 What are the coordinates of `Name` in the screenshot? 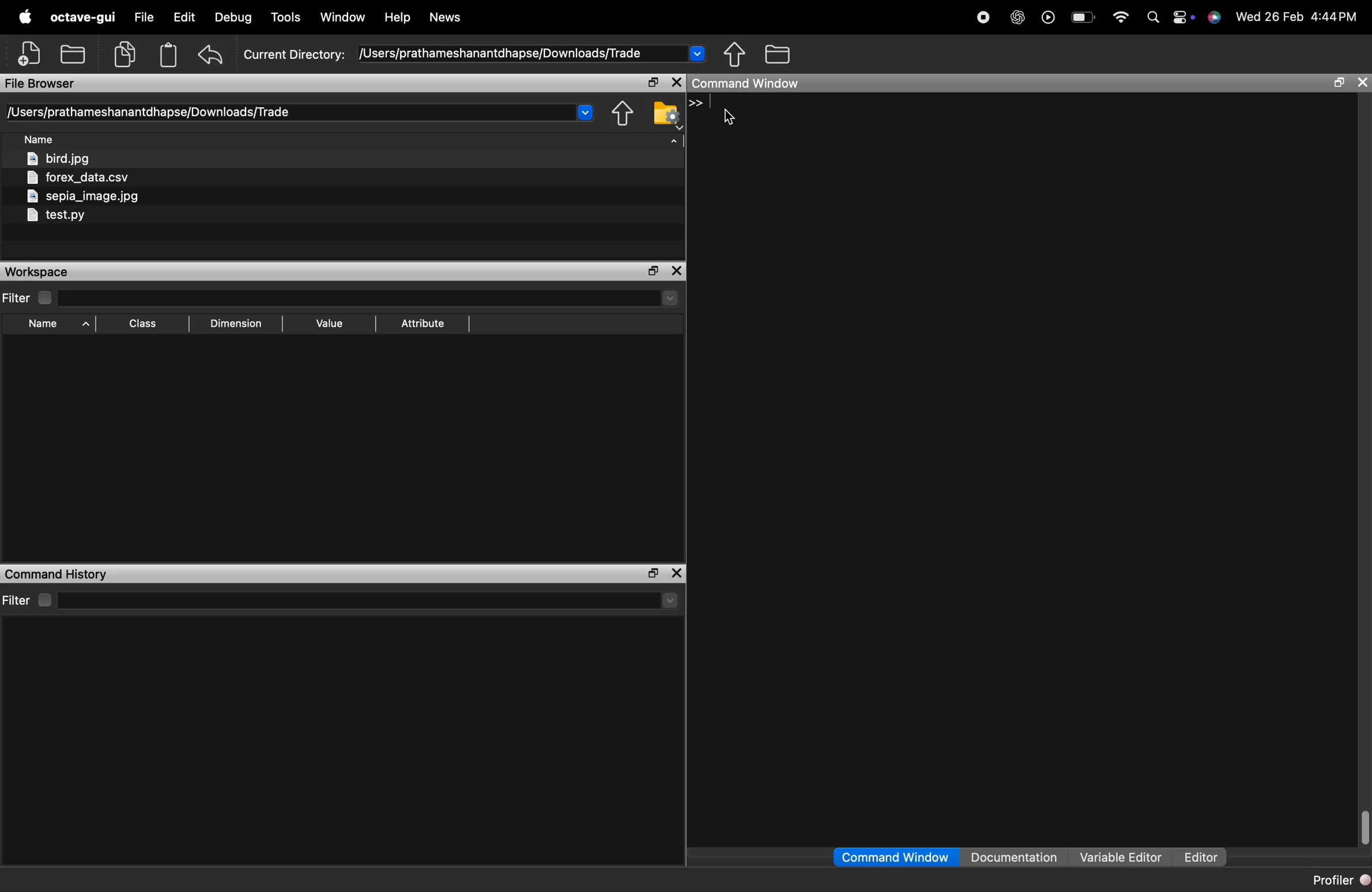 It's located at (39, 138).